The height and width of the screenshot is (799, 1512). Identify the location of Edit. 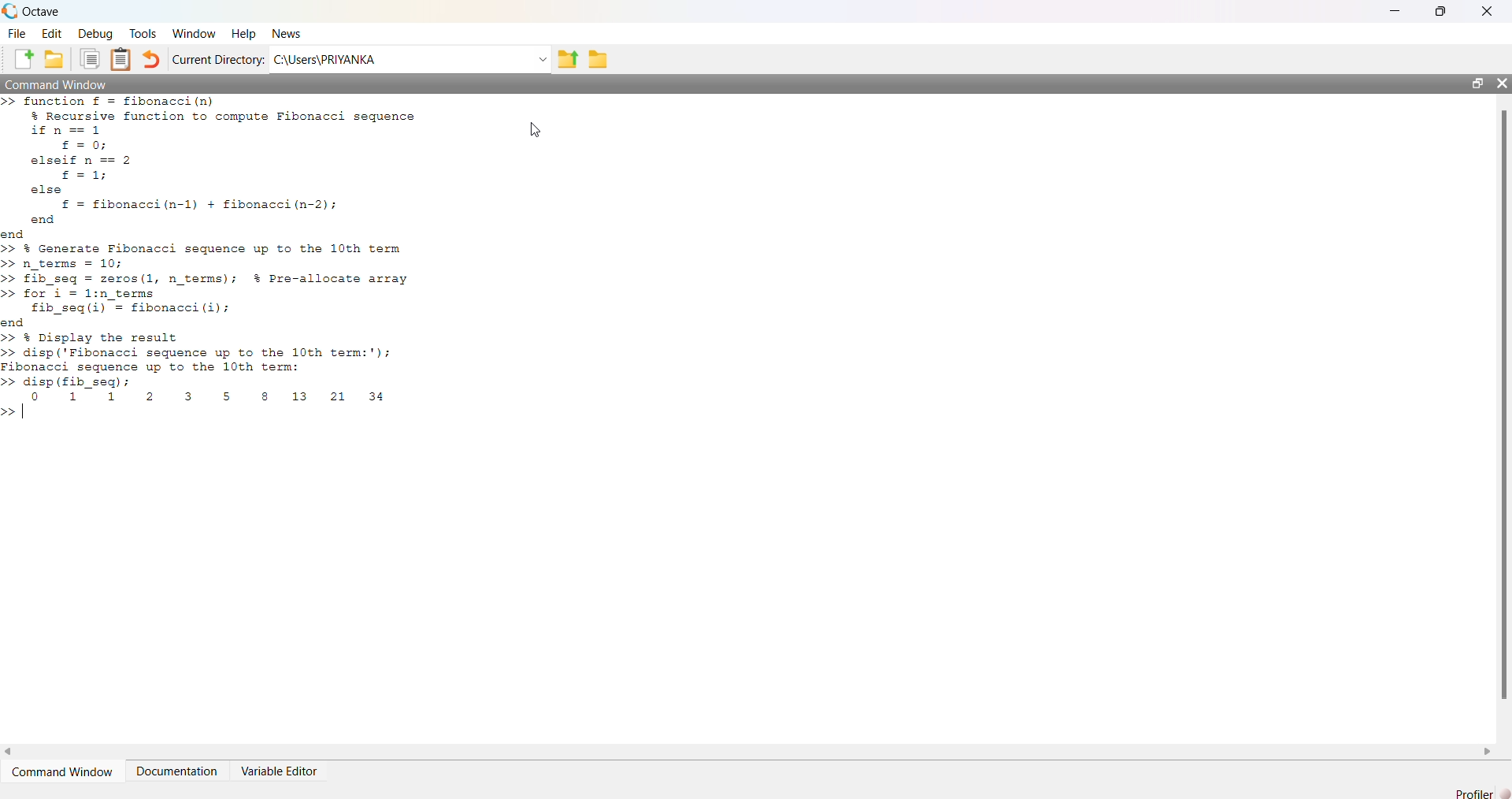
(50, 32).